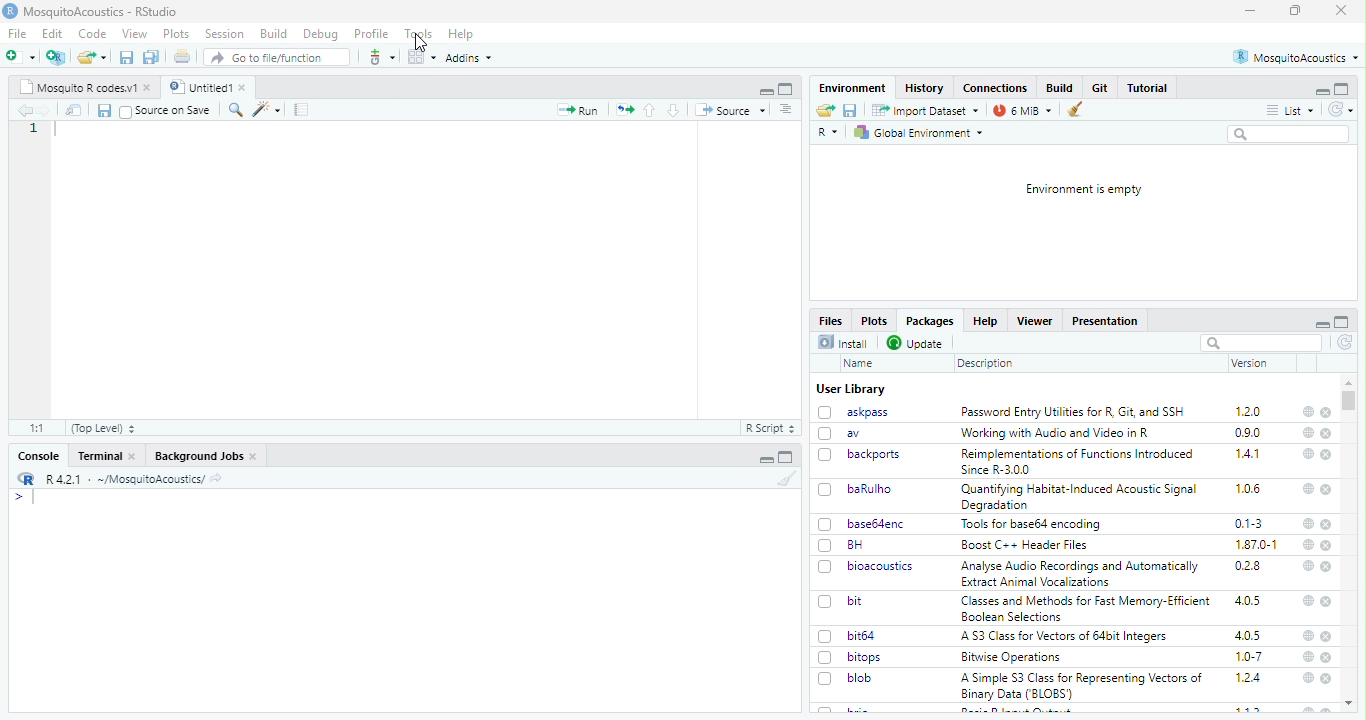 The image size is (1366, 720). Describe the element at coordinates (1030, 545) in the screenshot. I see `Boost C++ Header Files` at that location.